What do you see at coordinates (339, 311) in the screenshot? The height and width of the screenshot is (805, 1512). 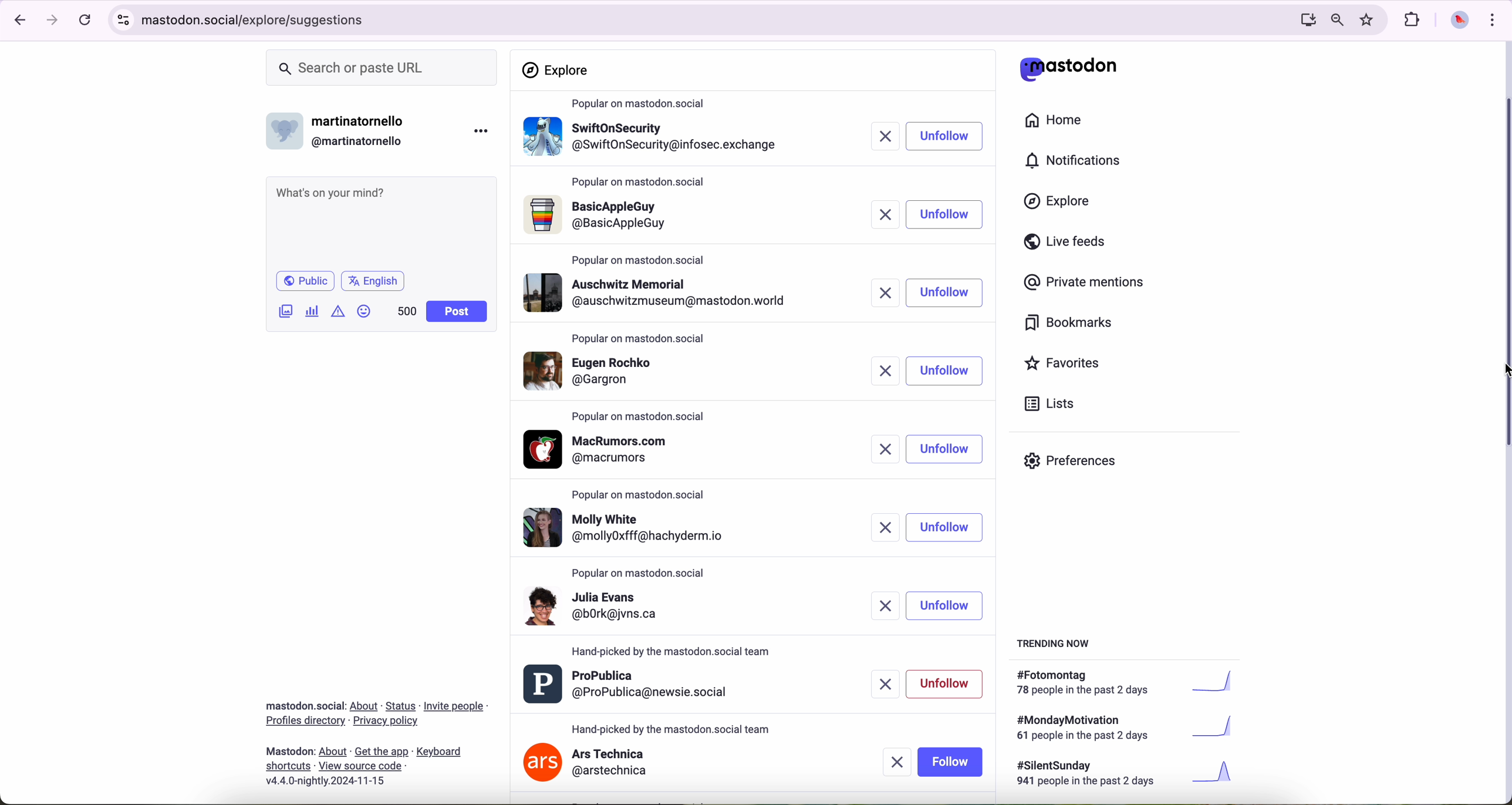 I see `icon` at bounding box center [339, 311].